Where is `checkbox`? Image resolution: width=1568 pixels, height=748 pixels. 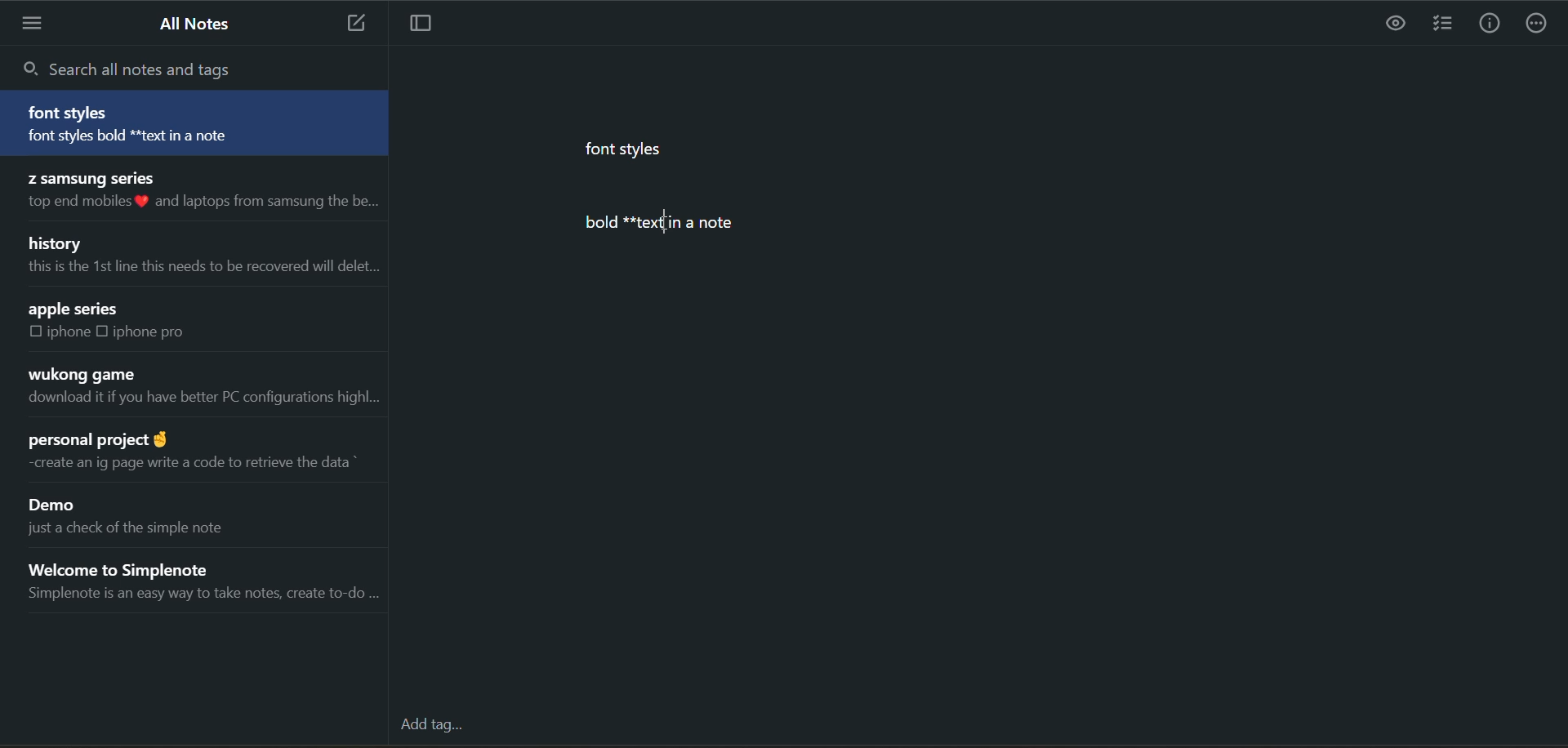 checkbox is located at coordinates (106, 331).